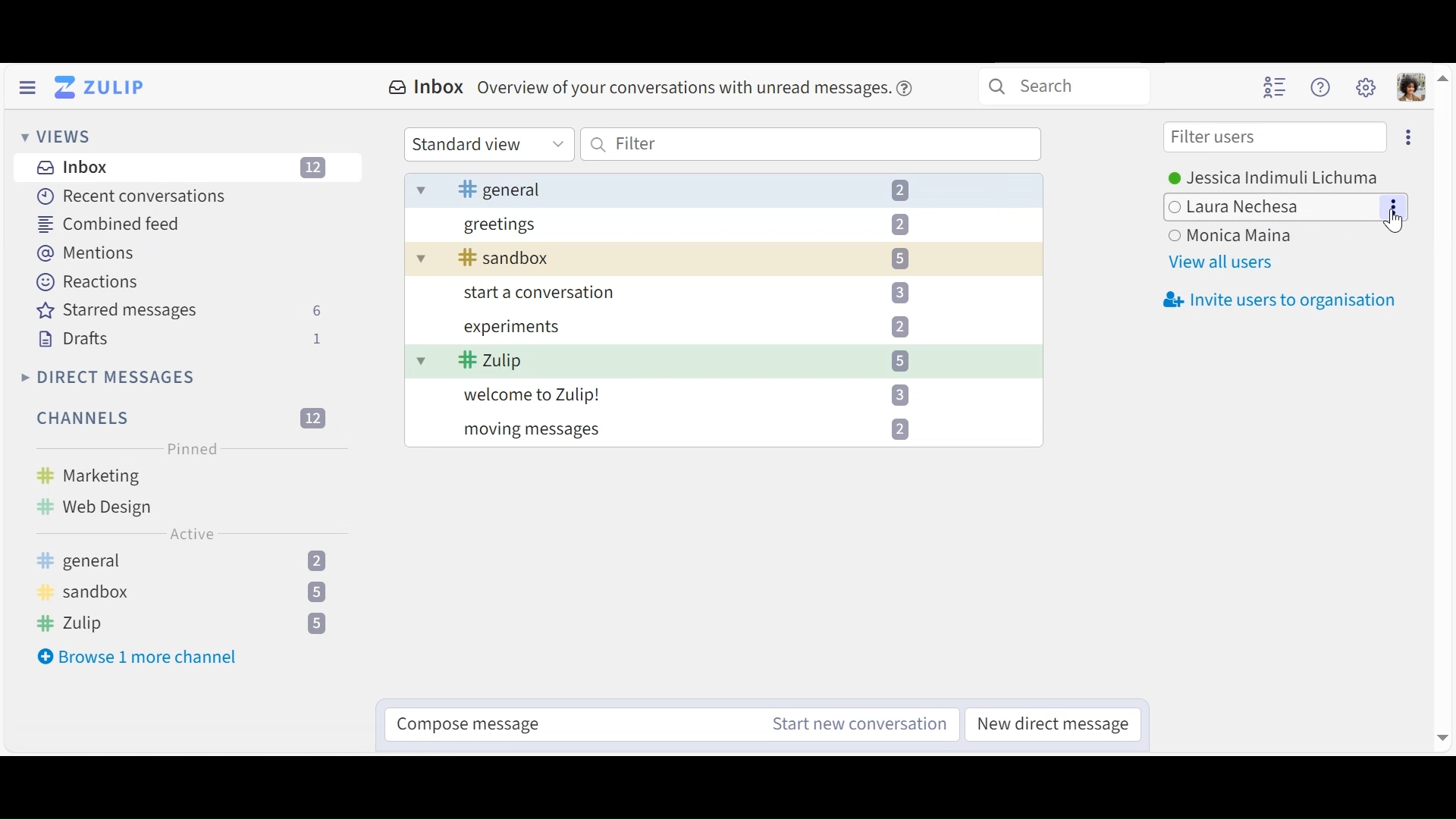  Describe the element at coordinates (182, 593) in the screenshot. I see `sandbox` at that location.